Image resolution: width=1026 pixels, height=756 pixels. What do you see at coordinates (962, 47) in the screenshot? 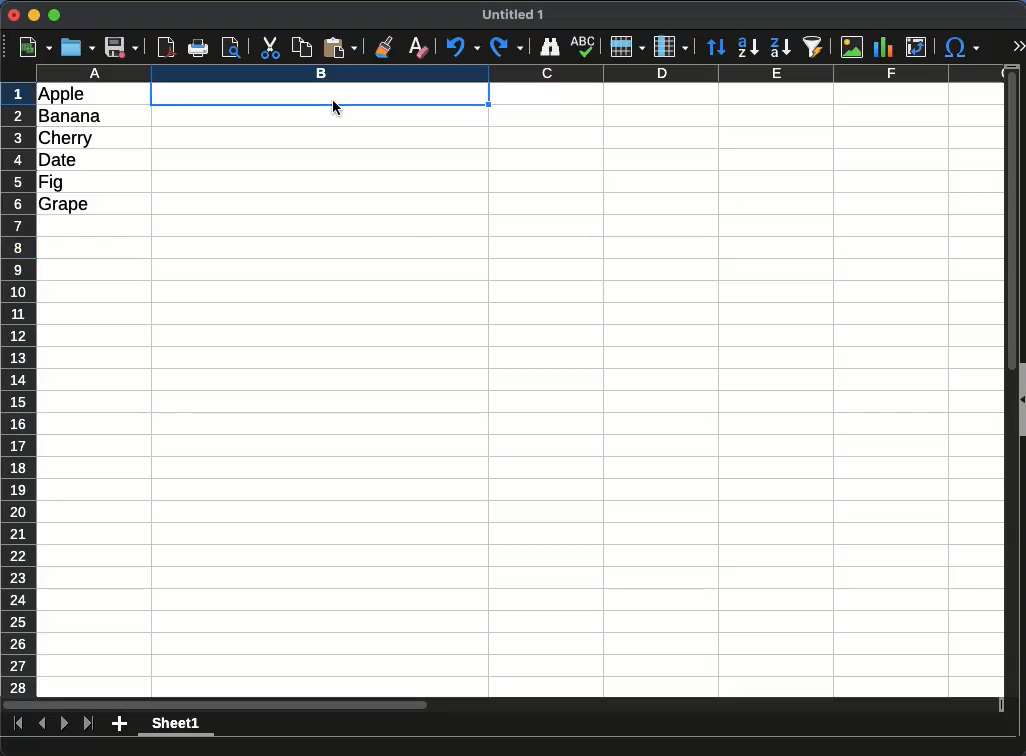
I see `special character` at bounding box center [962, 47].